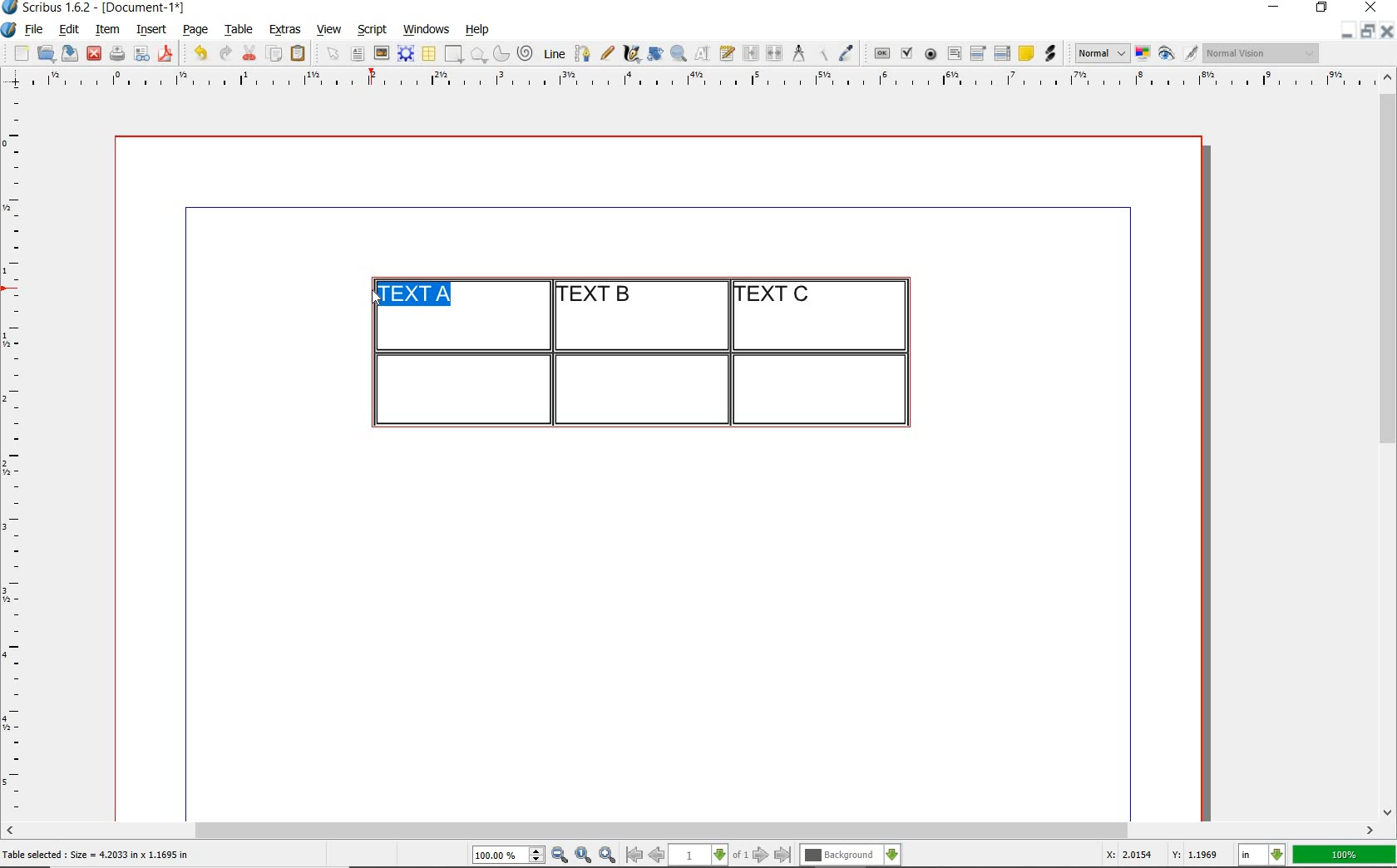 The width and height of the screenshot is (1397, 868). What do you see at coordinates (774, 54) in the screenshot?
I see `unlink text frames` at bounding box center [774, 54].